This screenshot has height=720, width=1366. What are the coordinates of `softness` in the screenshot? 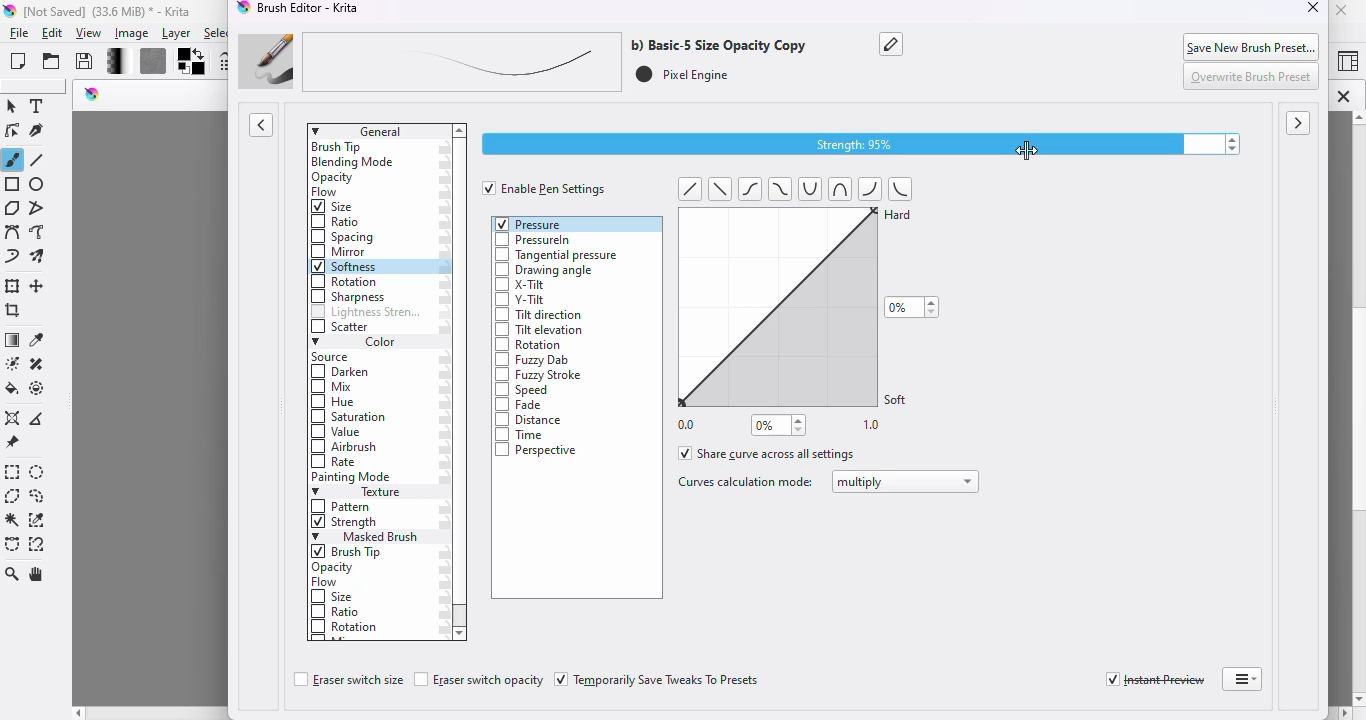 It's located at (345, 267).